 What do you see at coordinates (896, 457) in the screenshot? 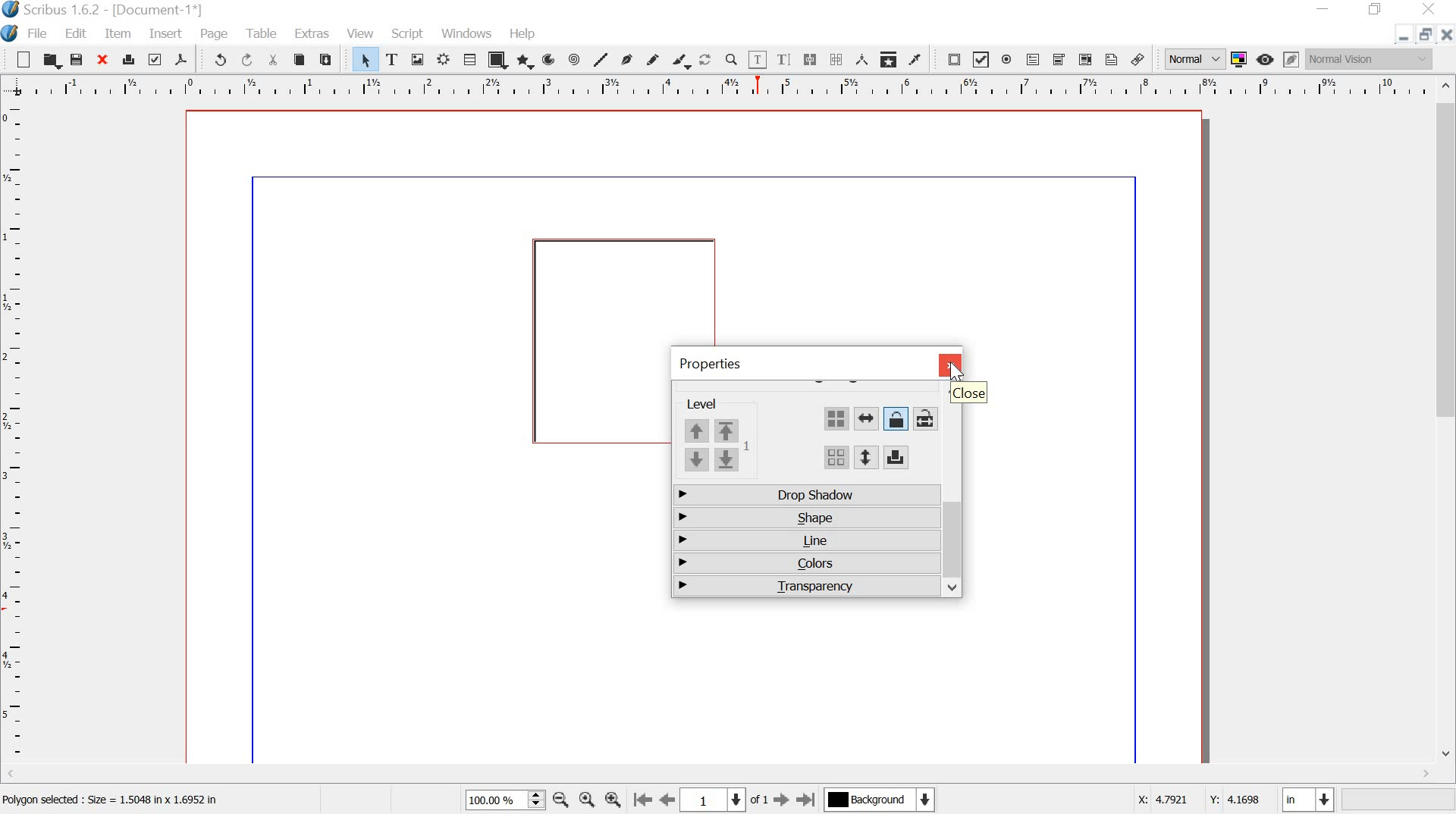
I see `print` at bounding box center [896, 457].